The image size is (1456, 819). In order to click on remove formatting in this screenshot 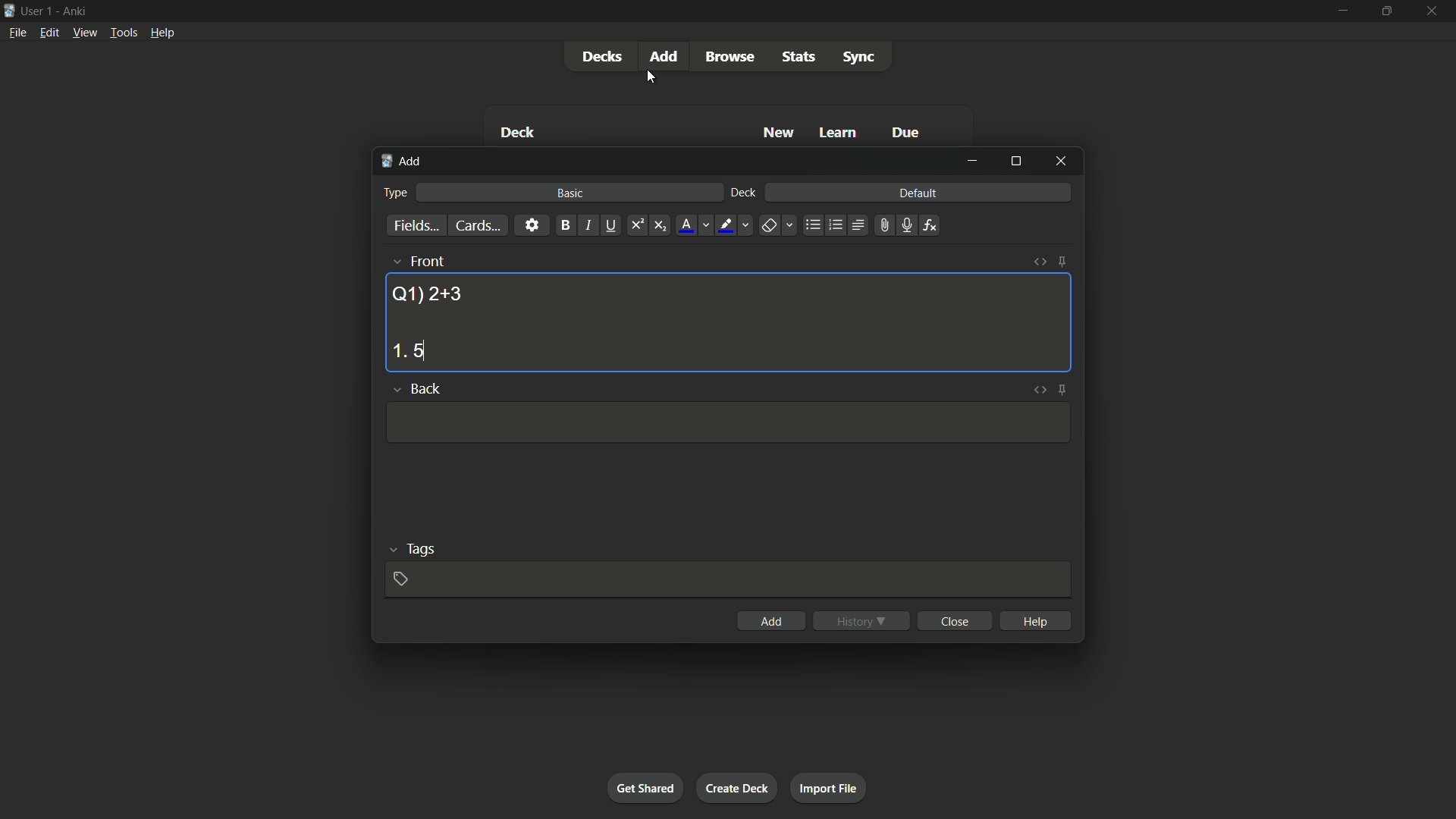, I will do `click(769, 227)`.